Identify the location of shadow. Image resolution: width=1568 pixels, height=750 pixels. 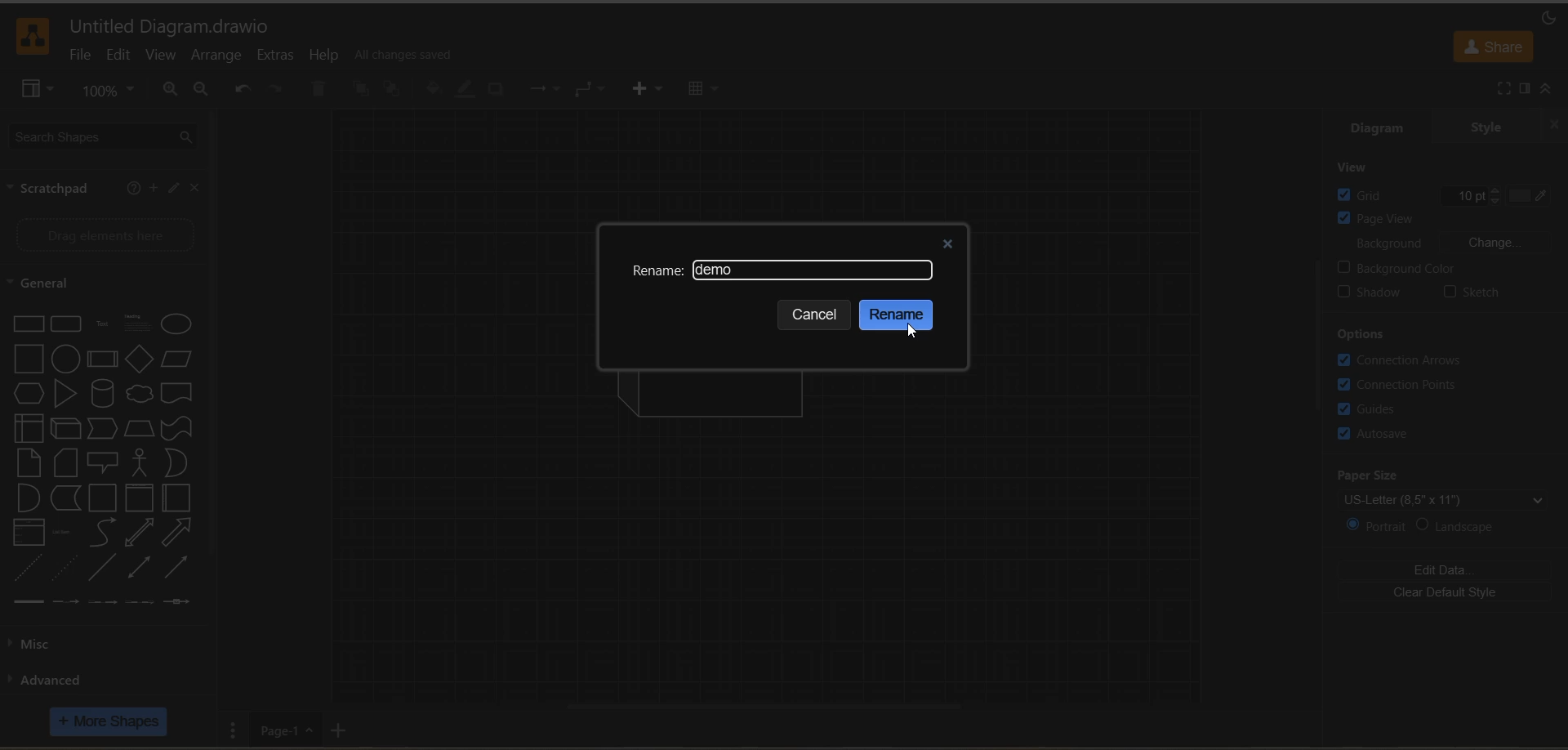
(496, 92).